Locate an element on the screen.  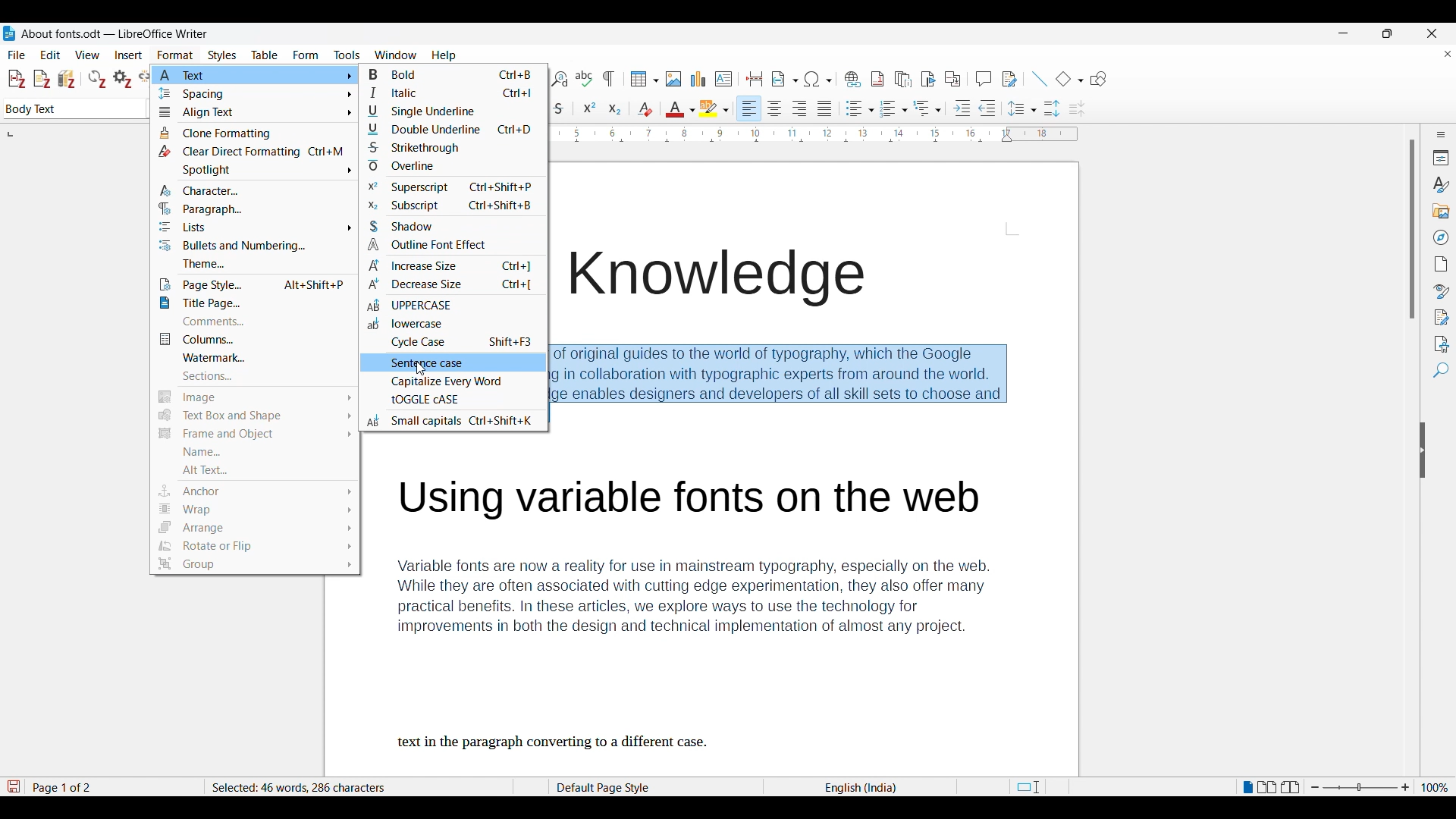
Paragraph selected by cursor is located at coordinates (788, 383).